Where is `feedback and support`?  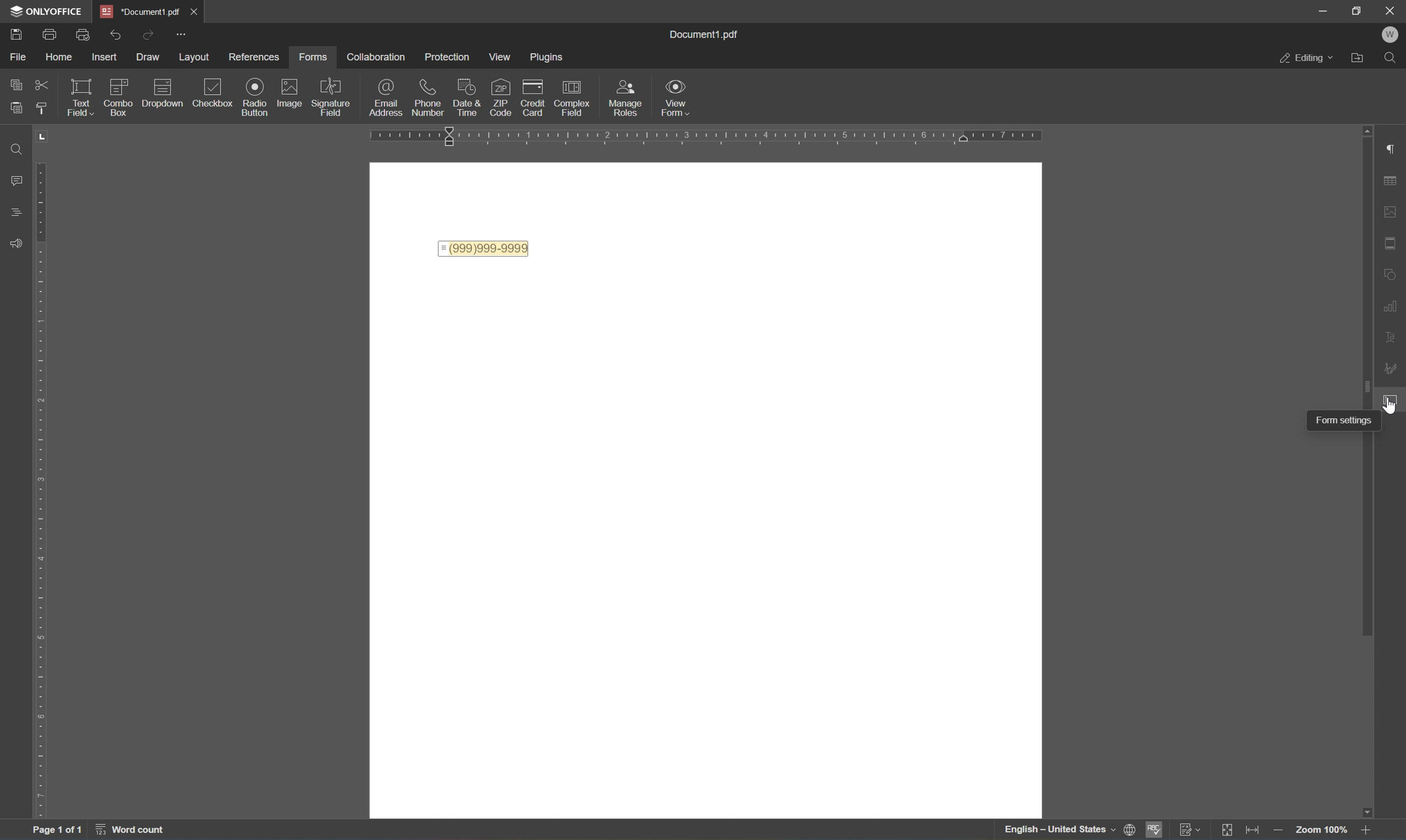
feedback and support is located at coordinates (15, 240).